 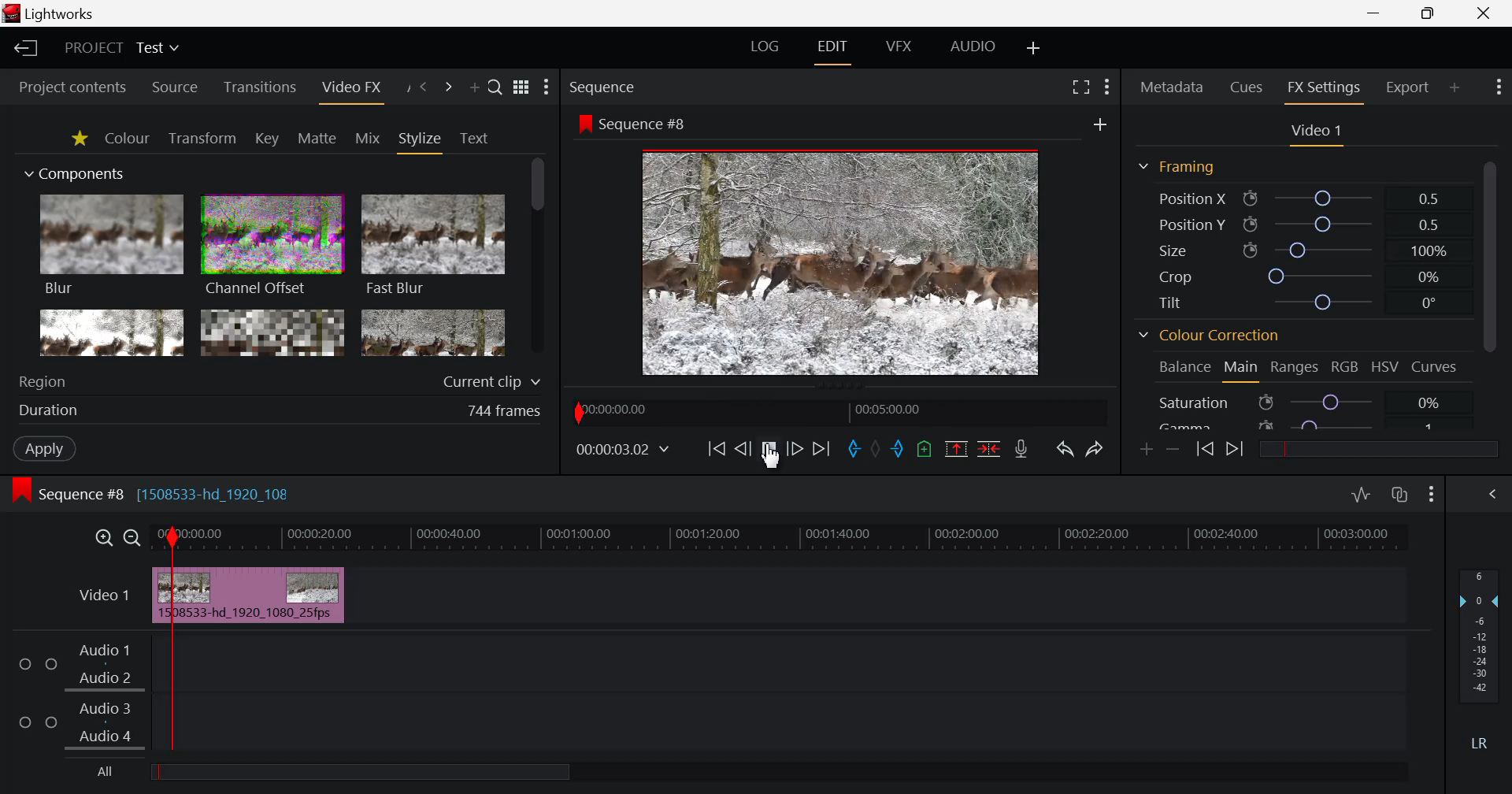 I want to click on Colour Correction, so click(x=1209, y=336).